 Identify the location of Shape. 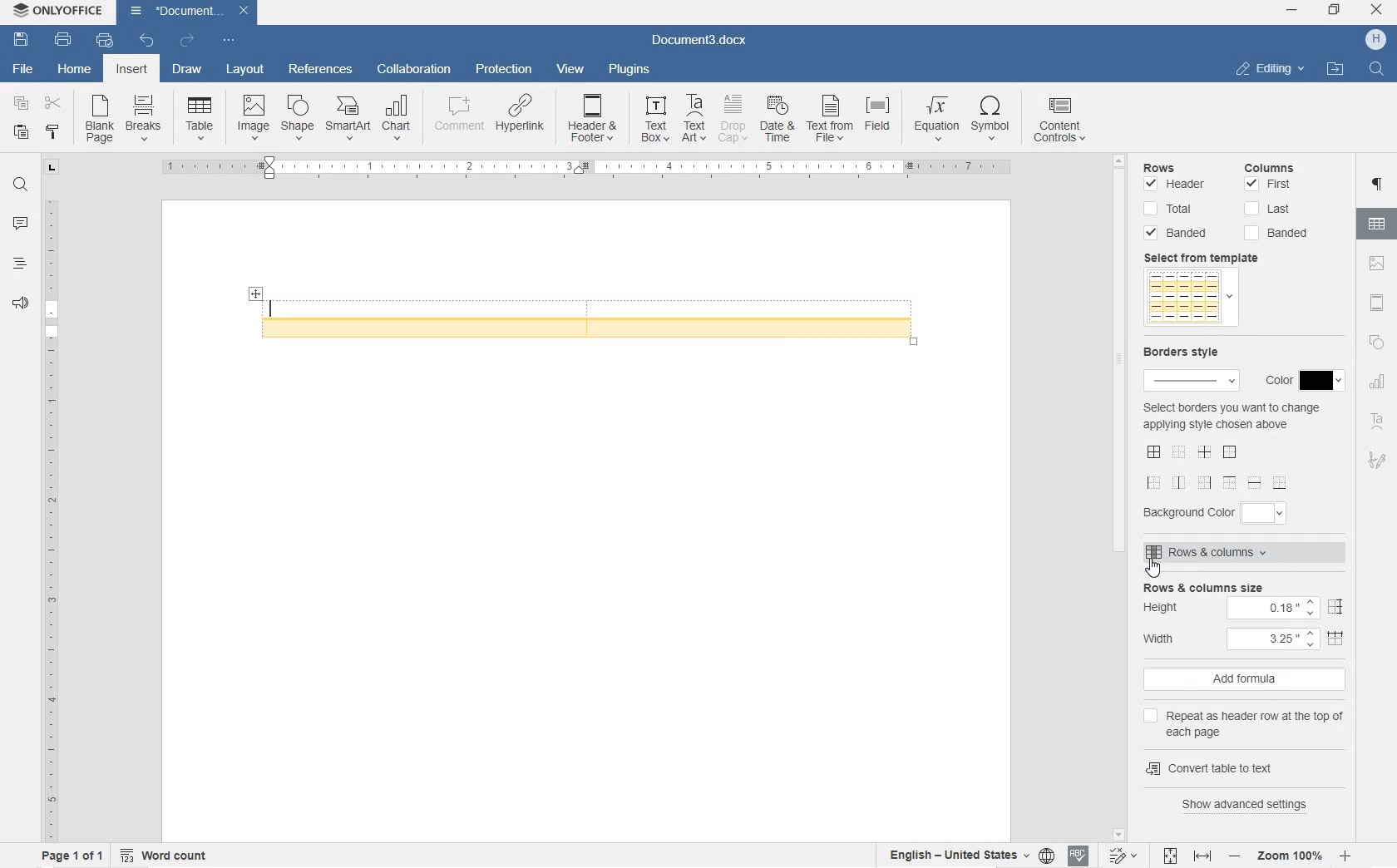
(297, 117).